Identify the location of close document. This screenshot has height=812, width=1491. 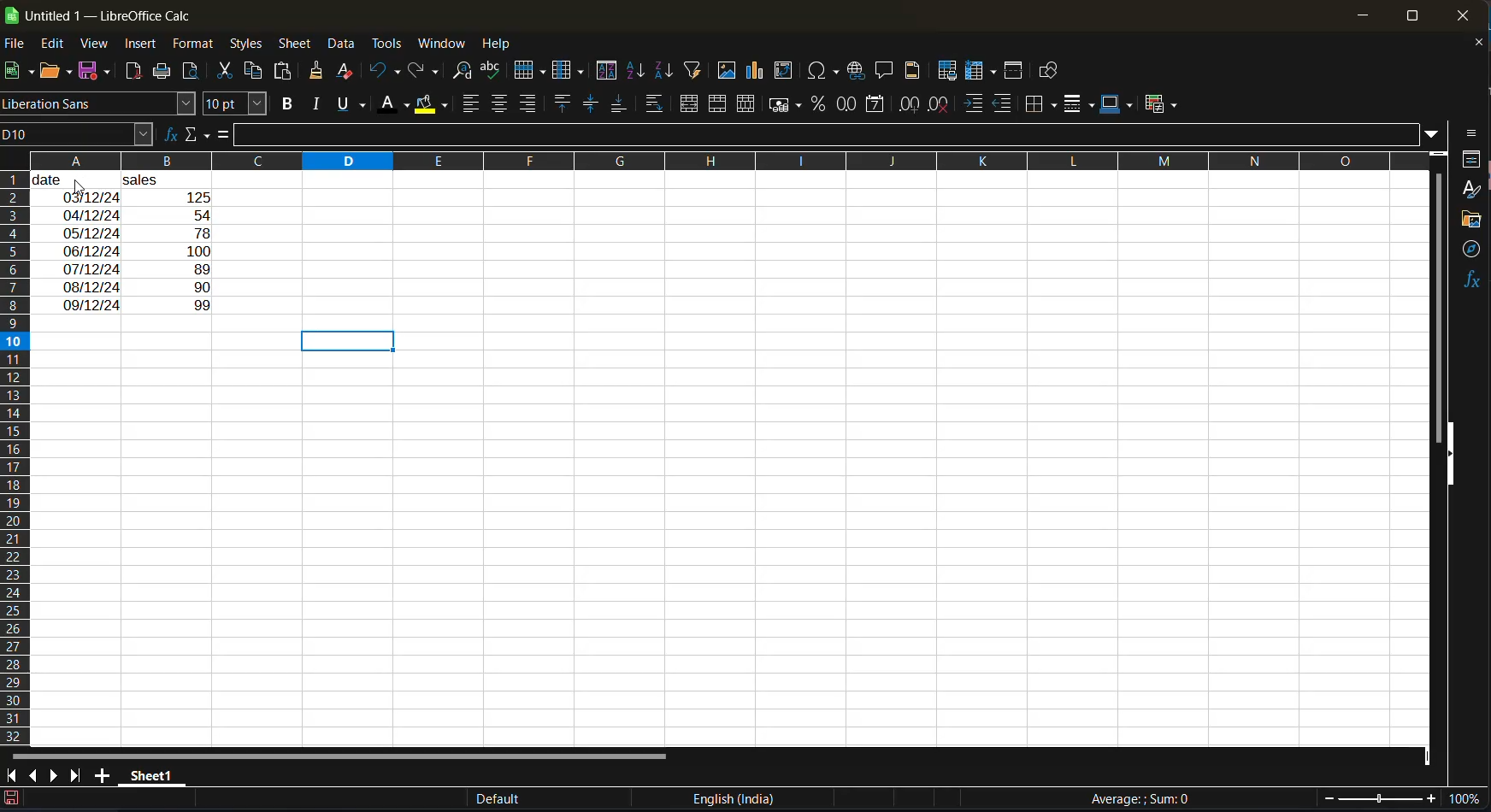
(1476, 44).